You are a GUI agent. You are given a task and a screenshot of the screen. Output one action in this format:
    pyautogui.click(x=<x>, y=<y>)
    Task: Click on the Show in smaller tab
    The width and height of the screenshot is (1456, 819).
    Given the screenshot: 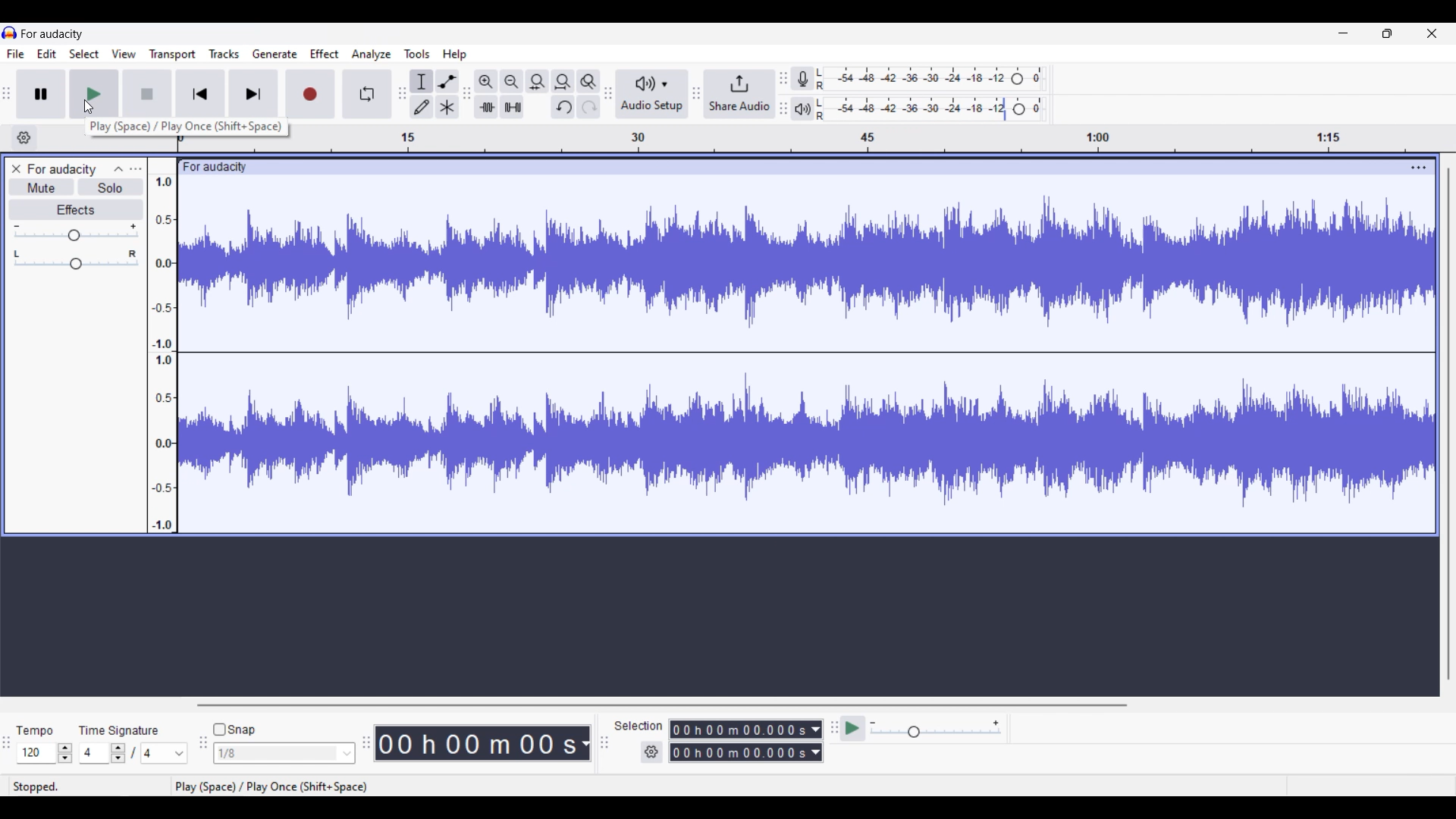 What is the action you would take?
    pyautogui.click(x=1387, y=33)
    